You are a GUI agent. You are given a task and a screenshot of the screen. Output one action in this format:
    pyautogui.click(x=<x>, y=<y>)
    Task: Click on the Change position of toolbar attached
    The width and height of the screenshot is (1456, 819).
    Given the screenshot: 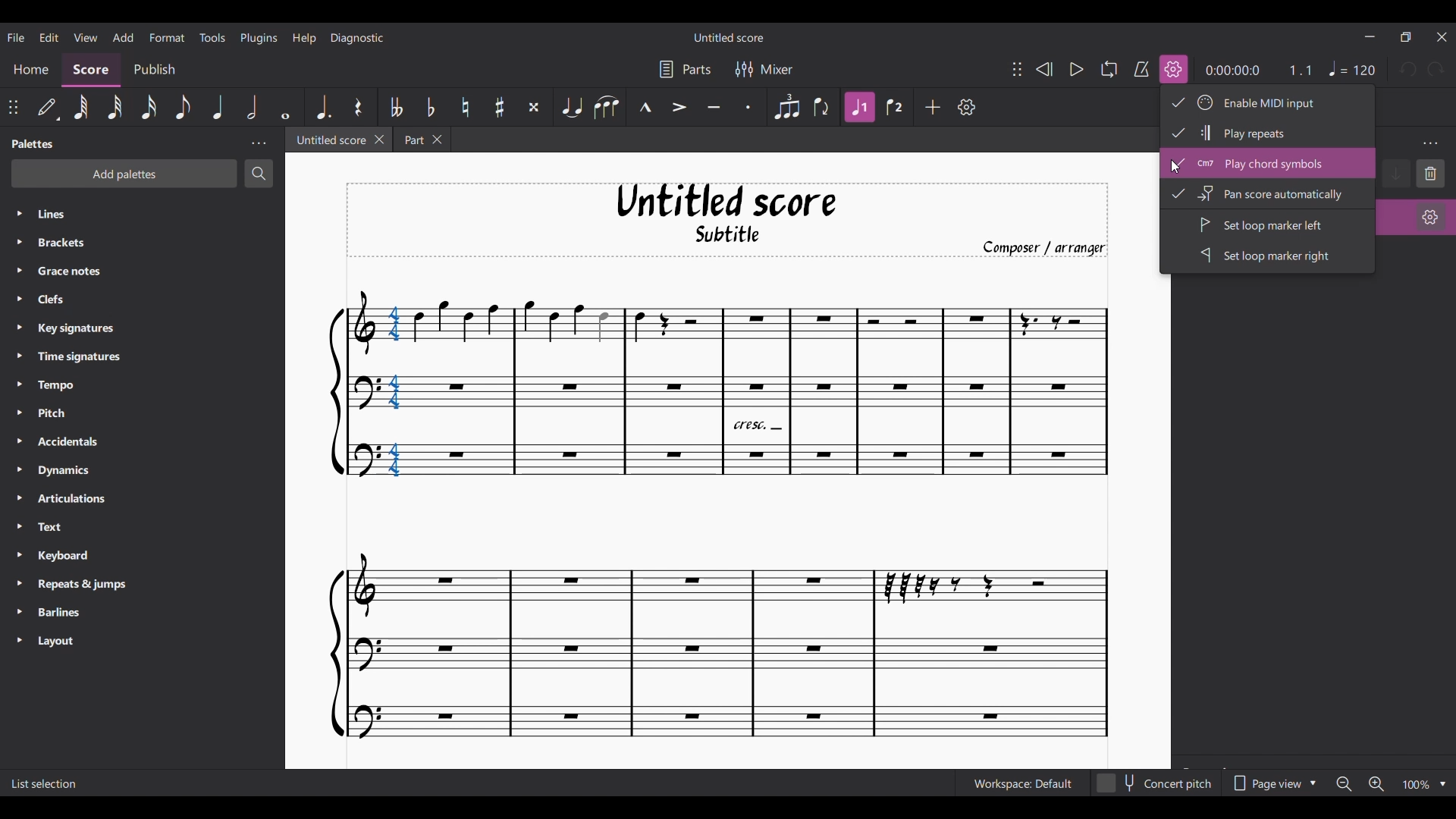 What is the action you would take?
    pyautogui.click(x=13, y=107)
    